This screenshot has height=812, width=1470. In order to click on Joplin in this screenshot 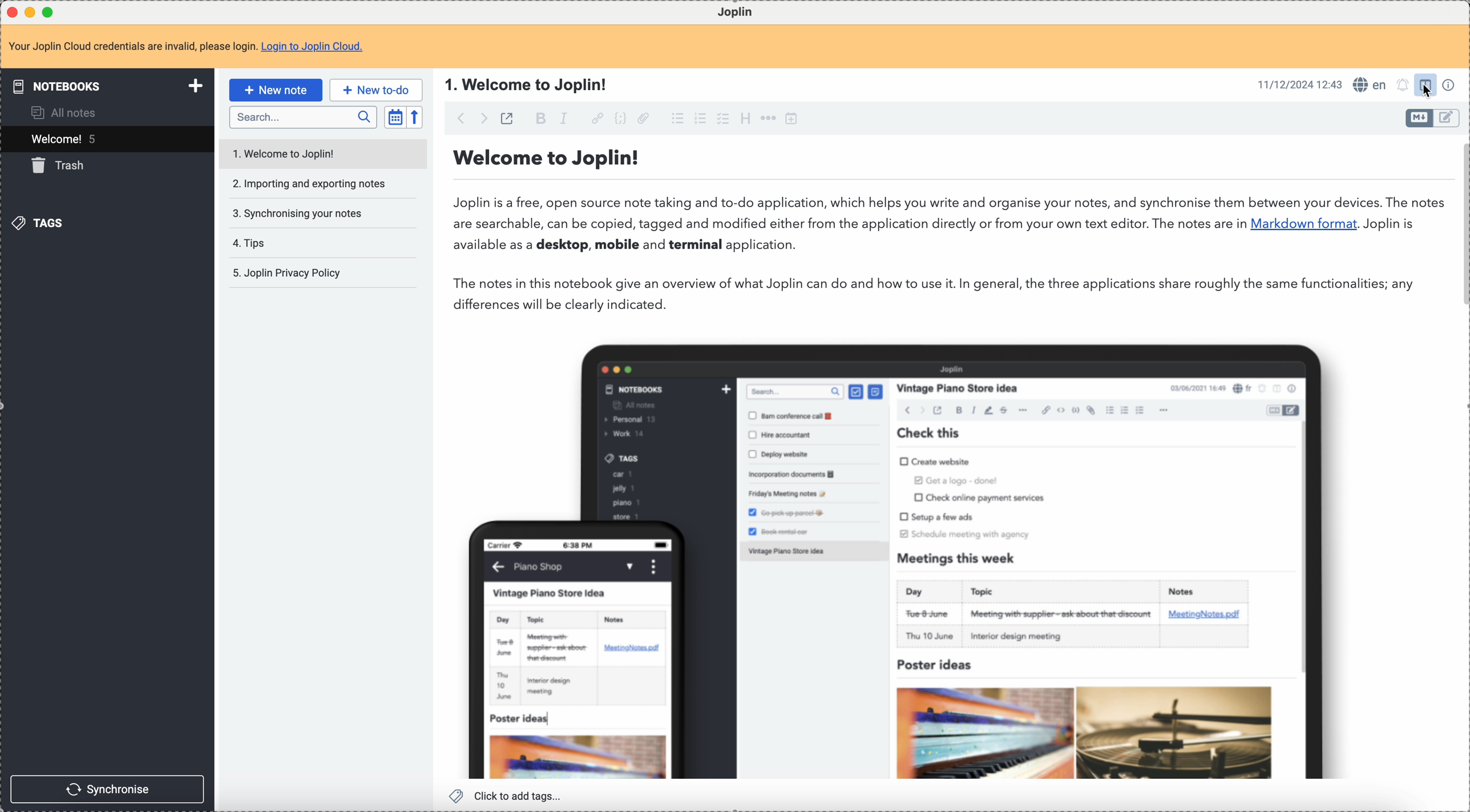, I will do `click(736, 11)`.